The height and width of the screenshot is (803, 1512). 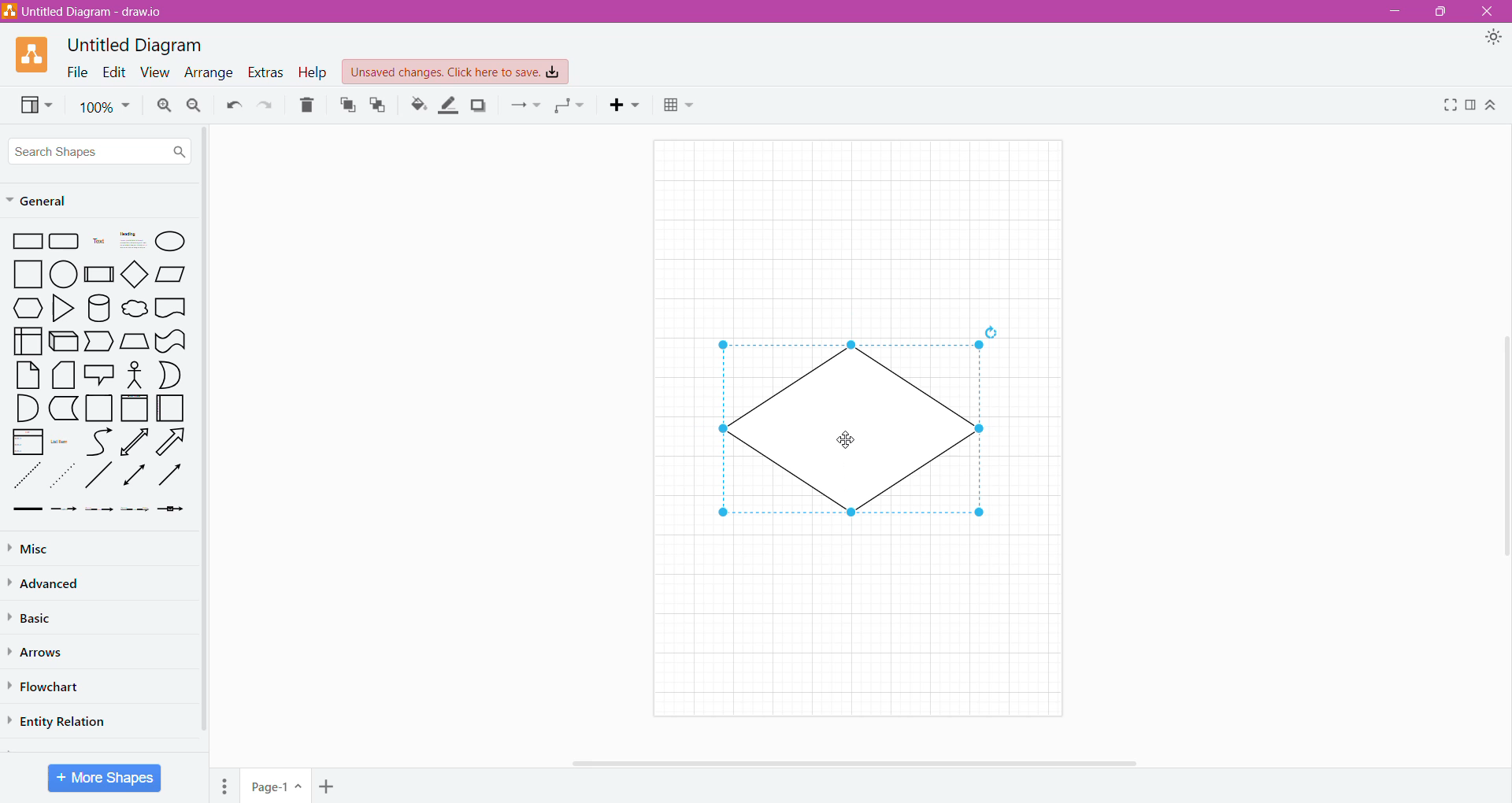 I want to click on Square, so click(x=28, y=274).